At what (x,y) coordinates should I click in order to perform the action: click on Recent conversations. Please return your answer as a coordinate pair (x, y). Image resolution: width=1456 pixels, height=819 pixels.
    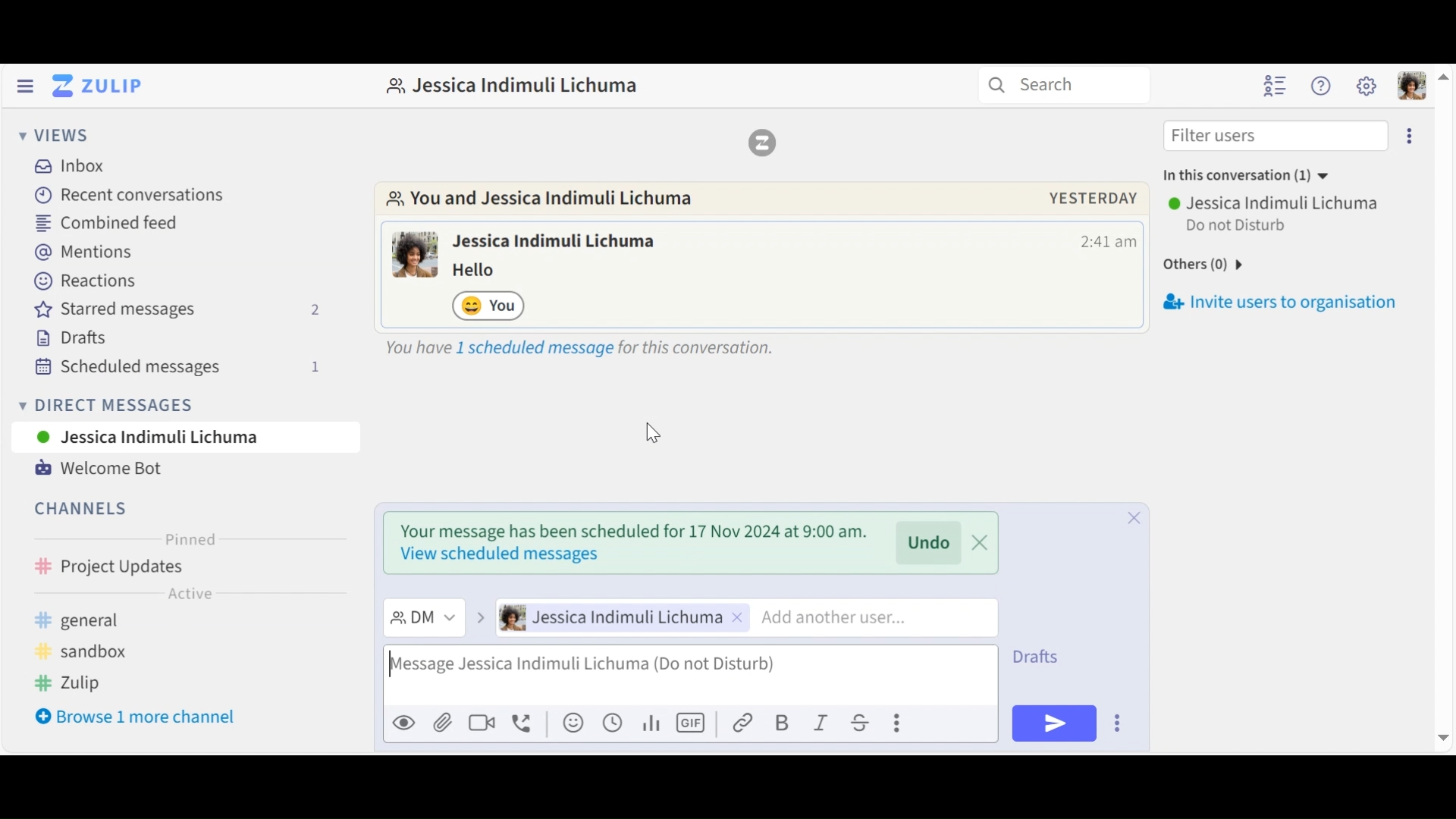
    Looking at the image, I should click on (133, 196).